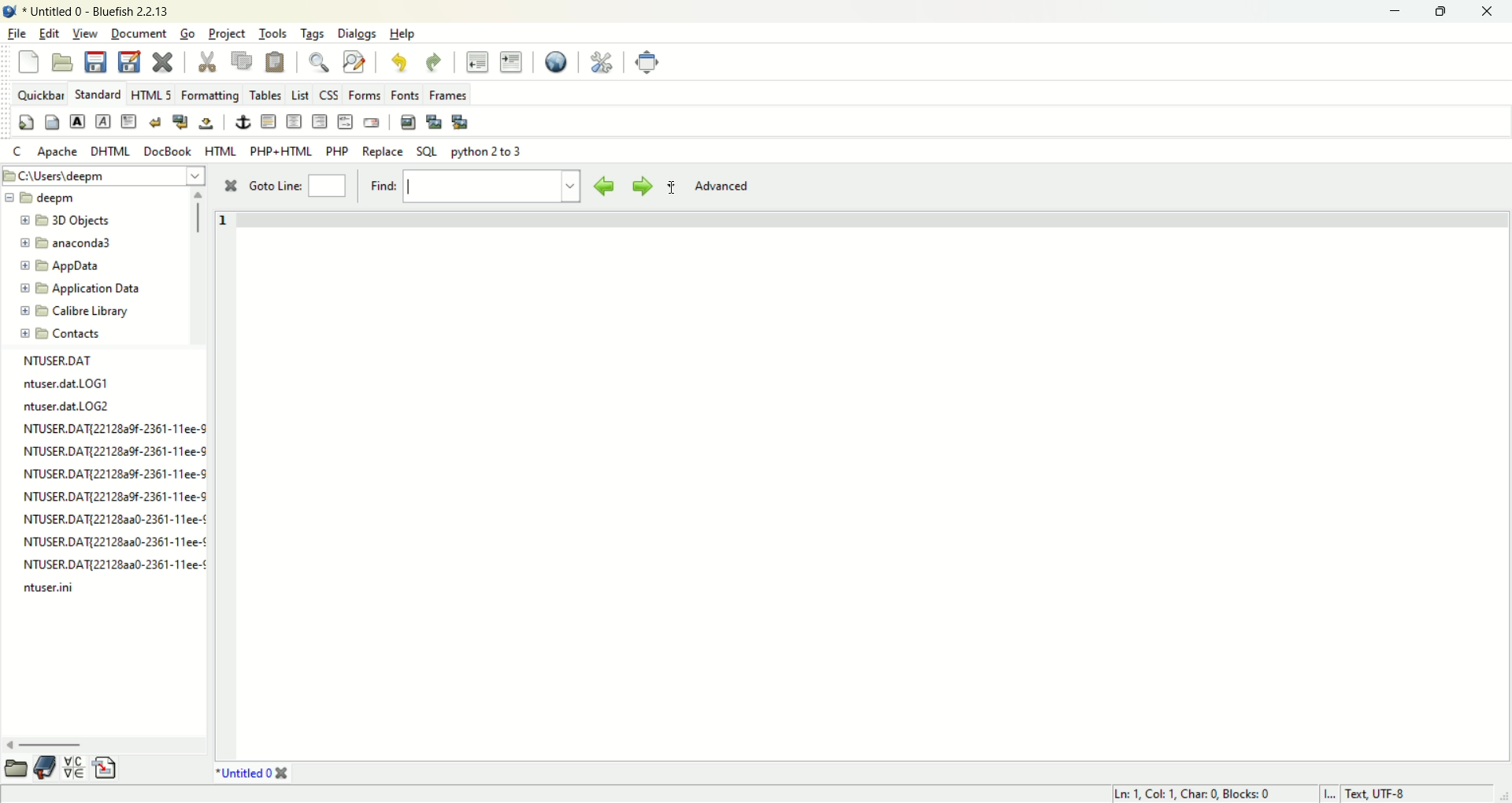  What do you see at coordinates (267, 123) in the screenshot?
I see `horizontal rule` at bounding box center [267, 123].